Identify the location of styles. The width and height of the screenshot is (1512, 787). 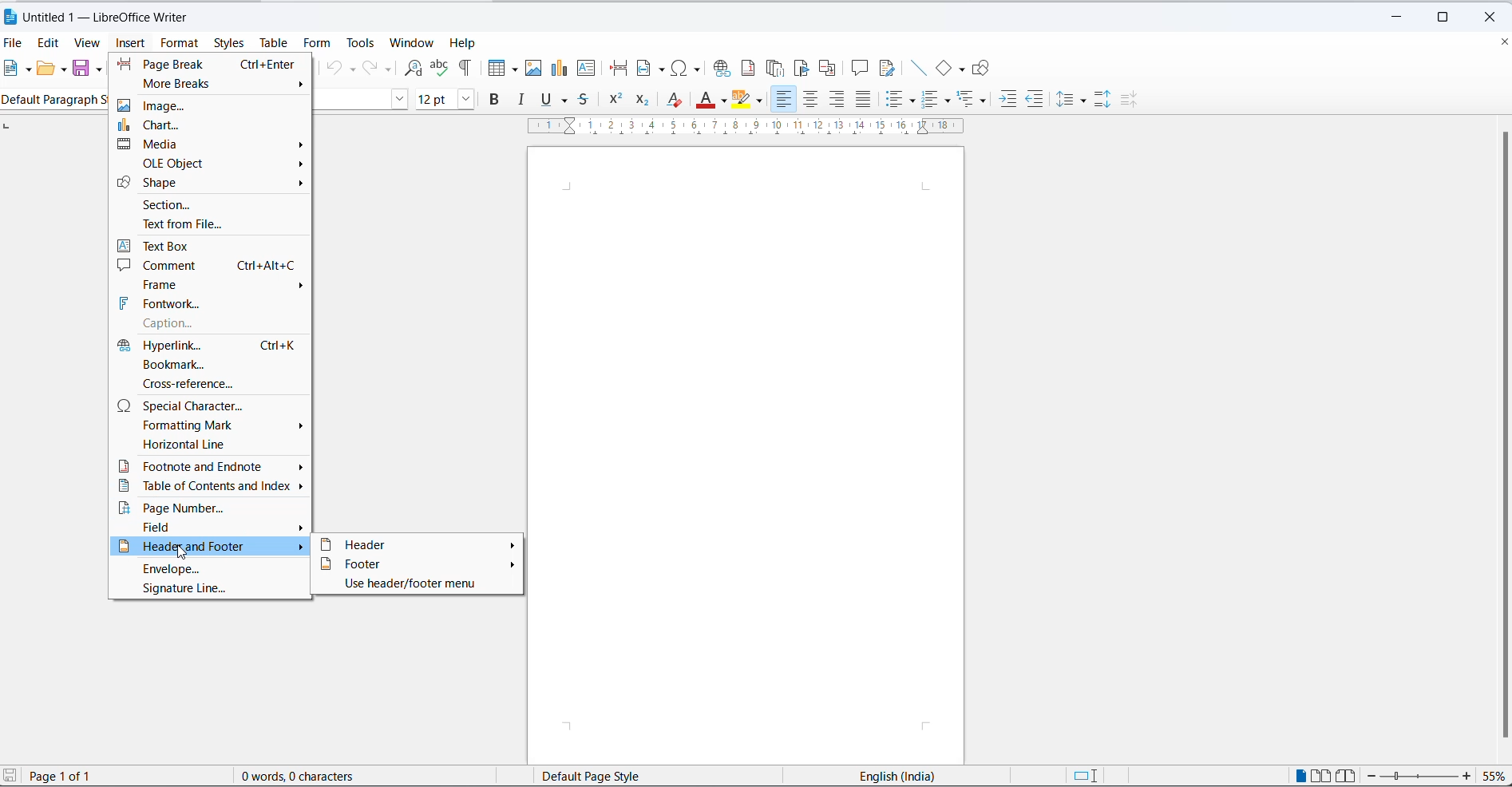
(228, 43).